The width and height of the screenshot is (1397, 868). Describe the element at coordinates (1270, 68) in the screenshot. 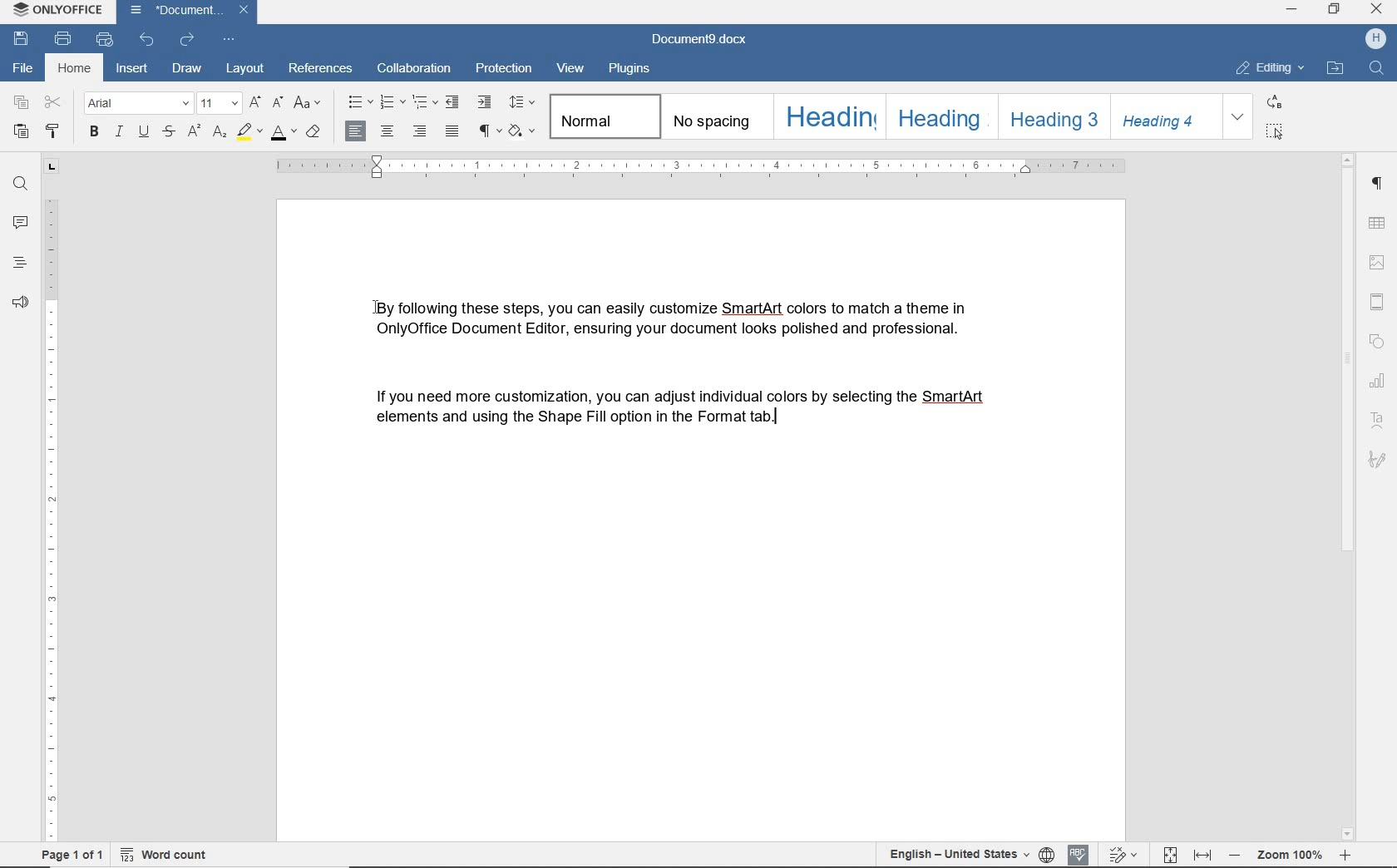

I see `editing` at that location.